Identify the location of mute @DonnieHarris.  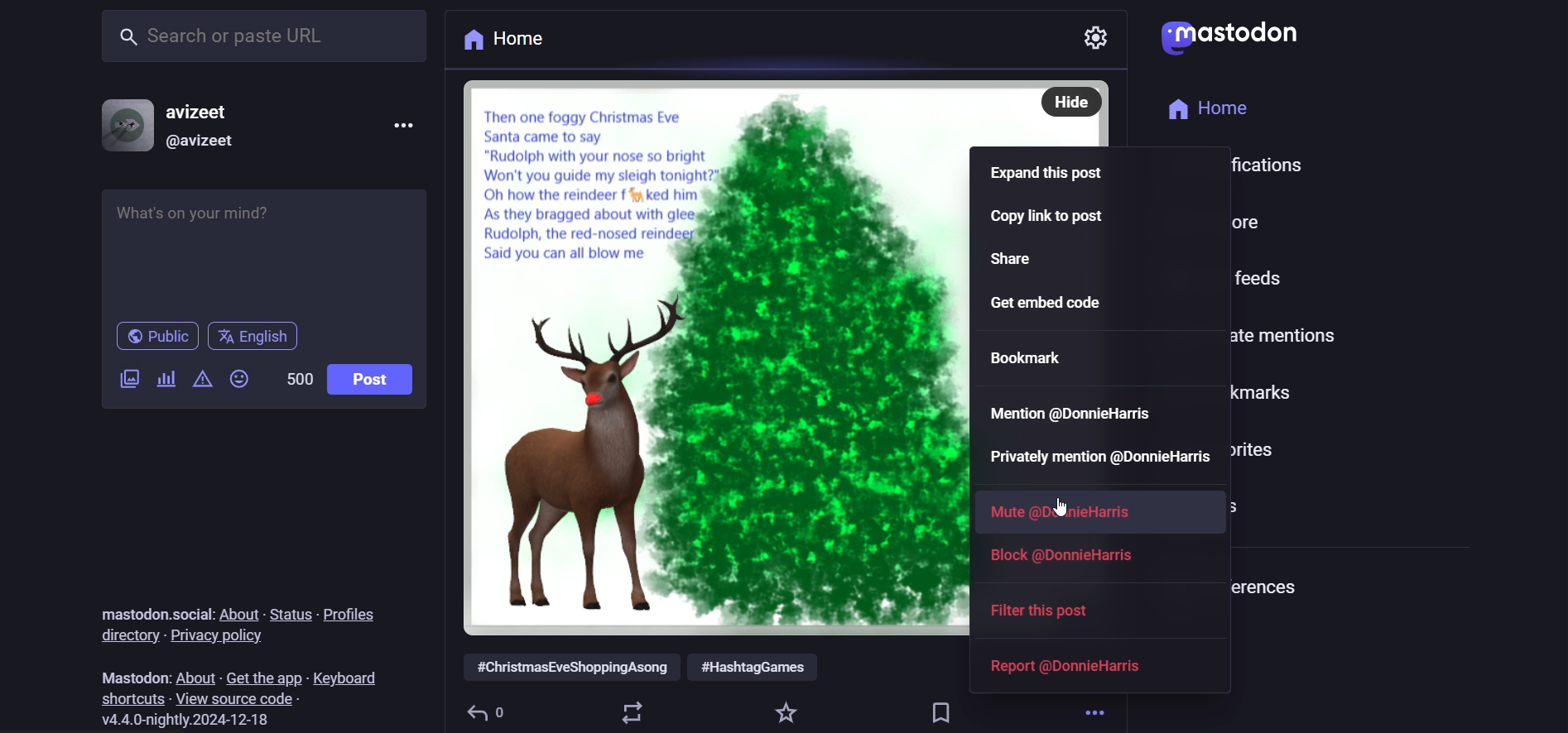
(1065, 510).